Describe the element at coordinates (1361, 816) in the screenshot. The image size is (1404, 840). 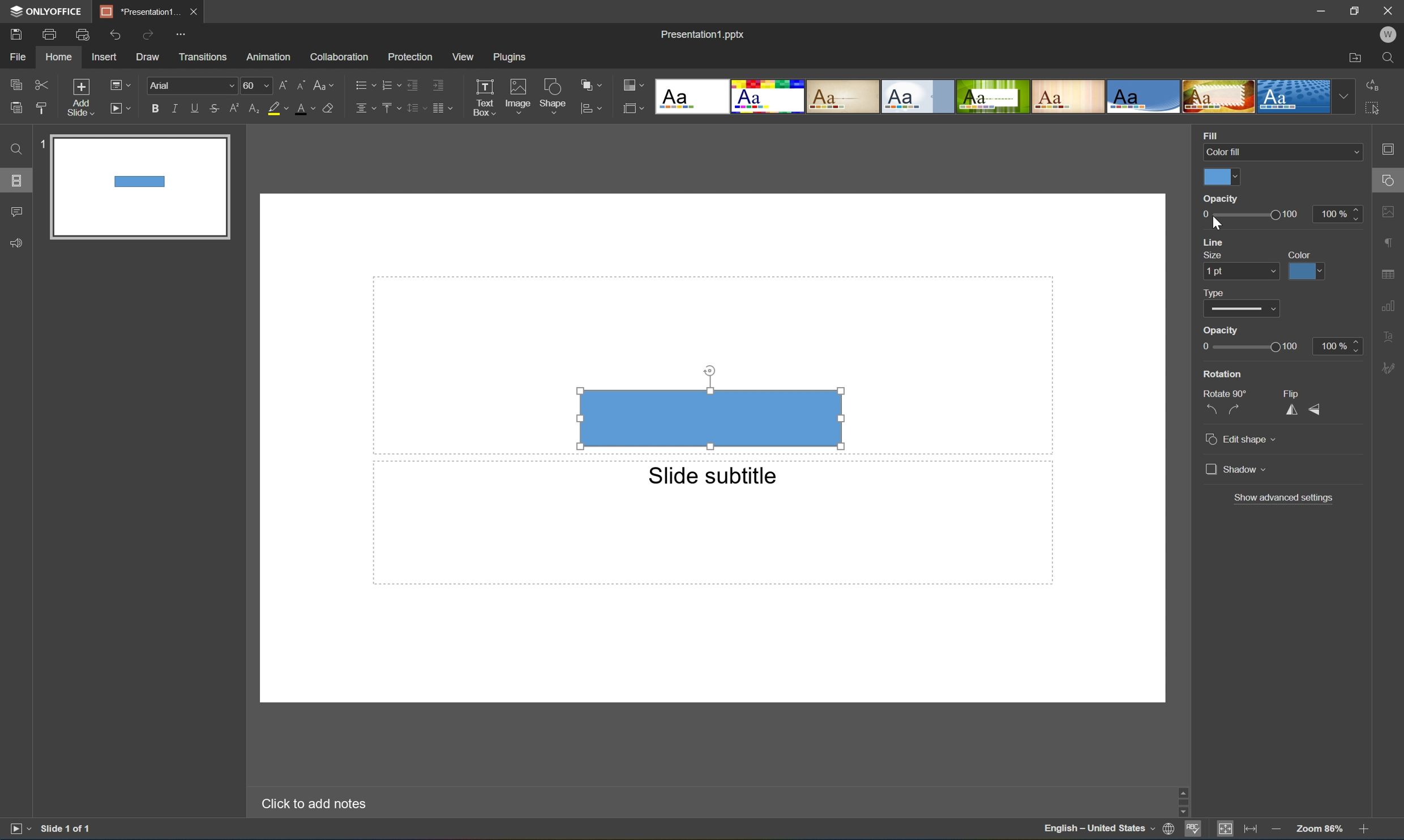
I see `Scroll Down` at that location.